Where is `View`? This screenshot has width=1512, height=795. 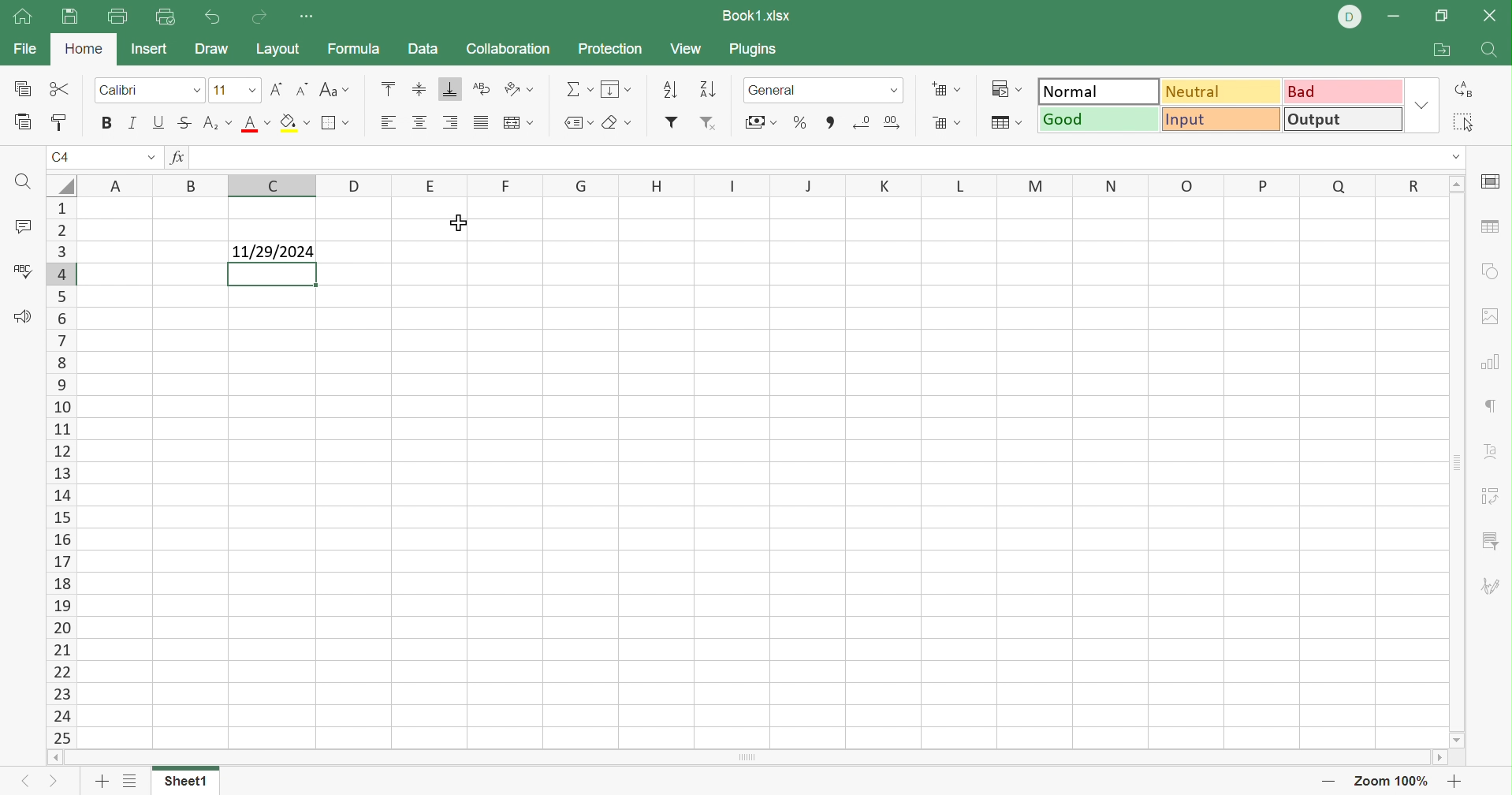
View is located at coordinates (690, 49).